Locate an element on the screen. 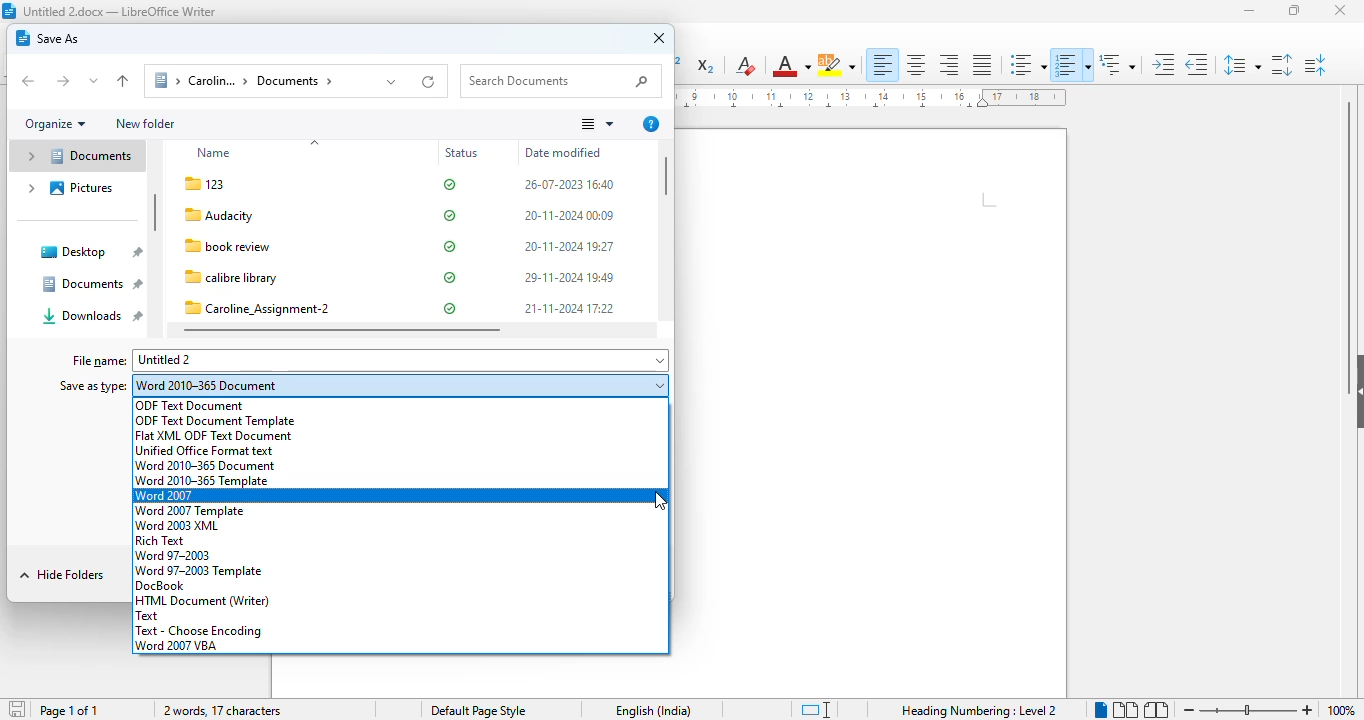  toggle ordered list is located at coordinates (1072, 65).